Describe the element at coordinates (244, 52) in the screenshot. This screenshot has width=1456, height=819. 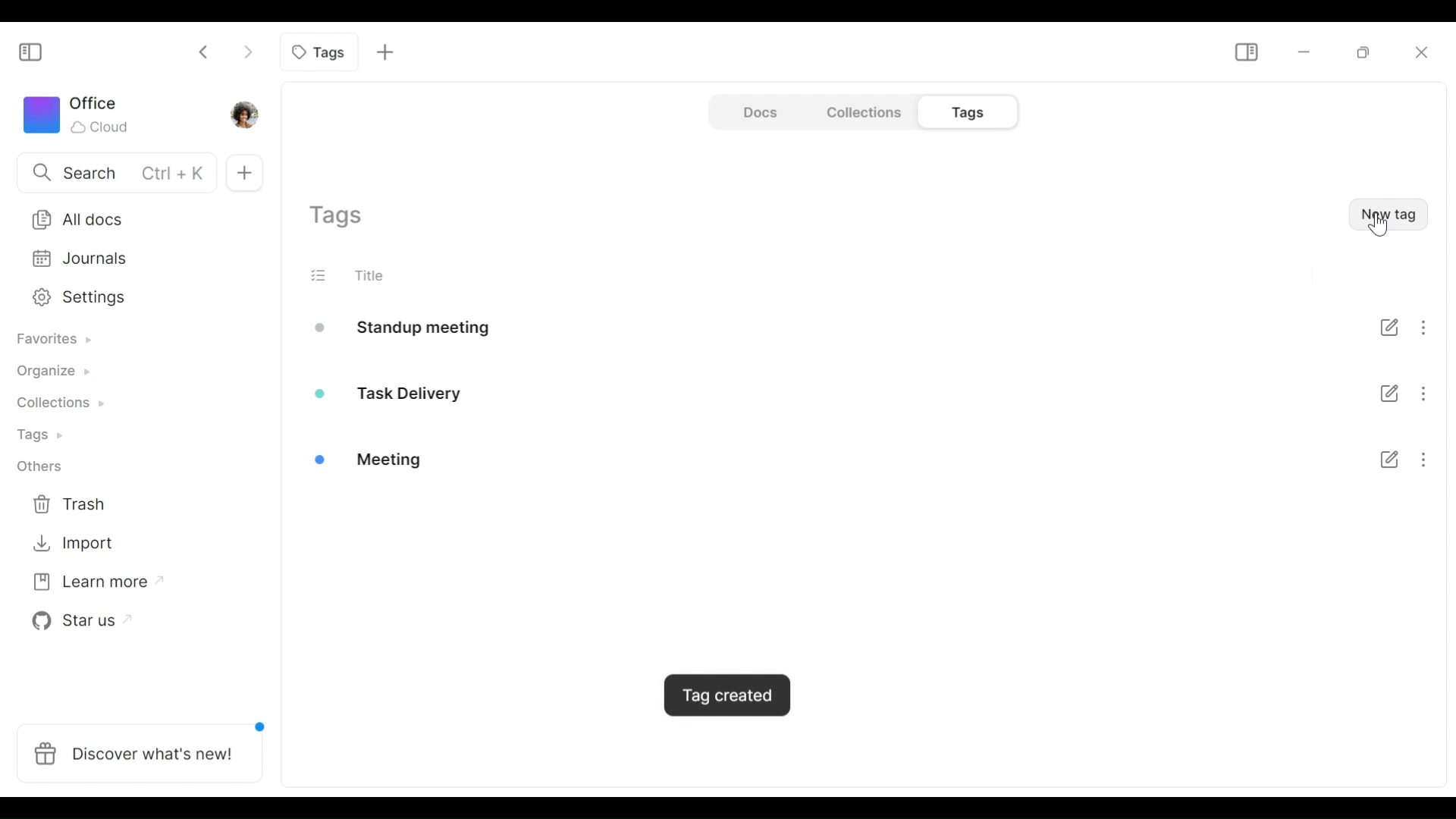
I see `Click to go forward` at that location.